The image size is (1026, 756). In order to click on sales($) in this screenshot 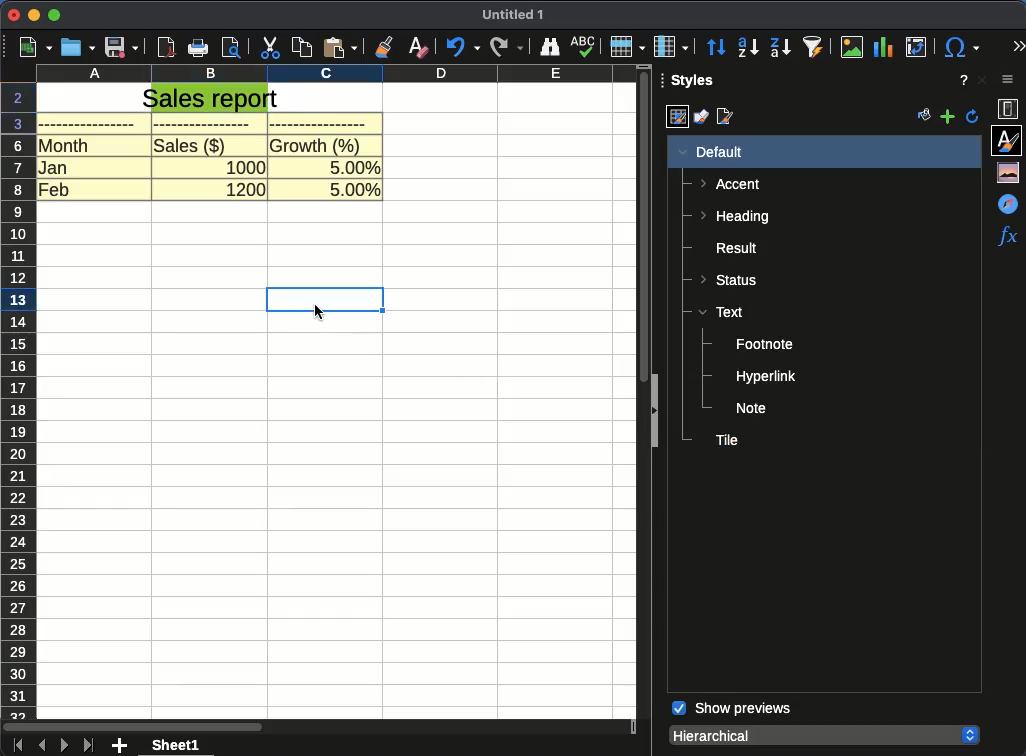, I will do `click(190, 146)`.